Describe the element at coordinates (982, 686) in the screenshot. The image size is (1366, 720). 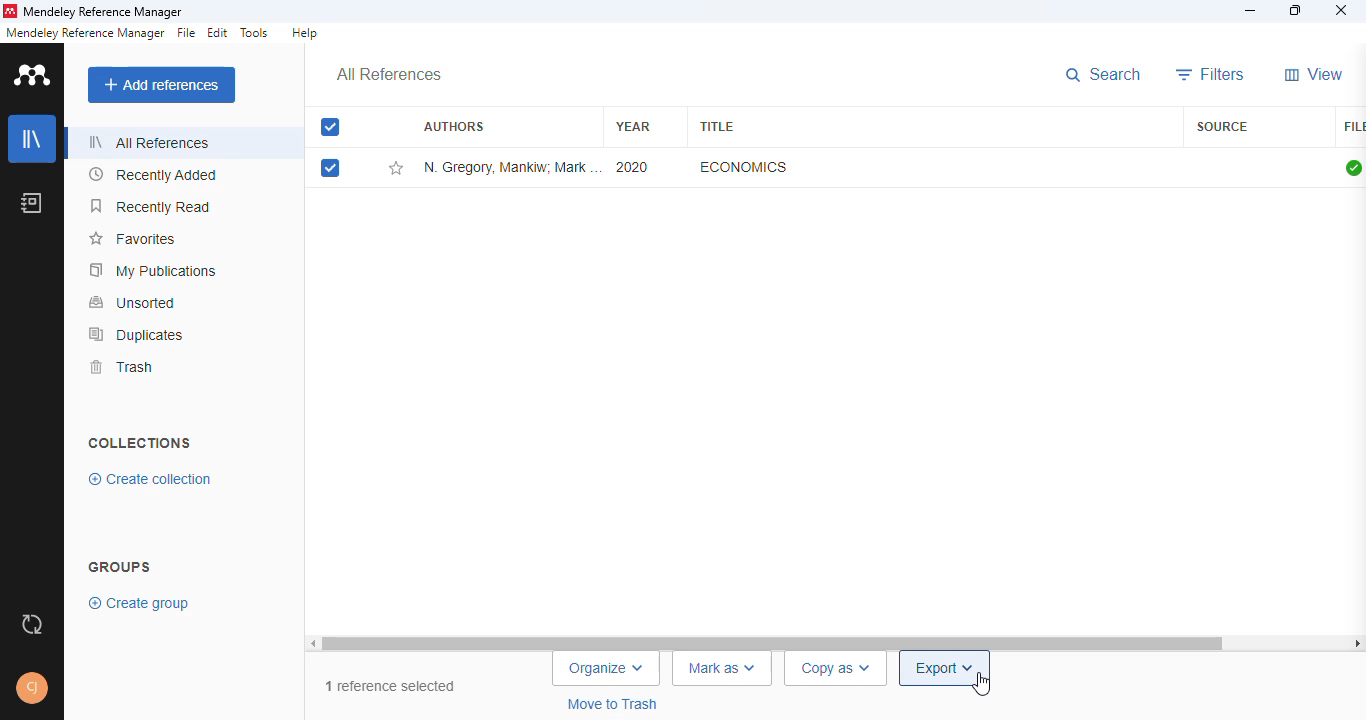
I see `cursor` at that location.